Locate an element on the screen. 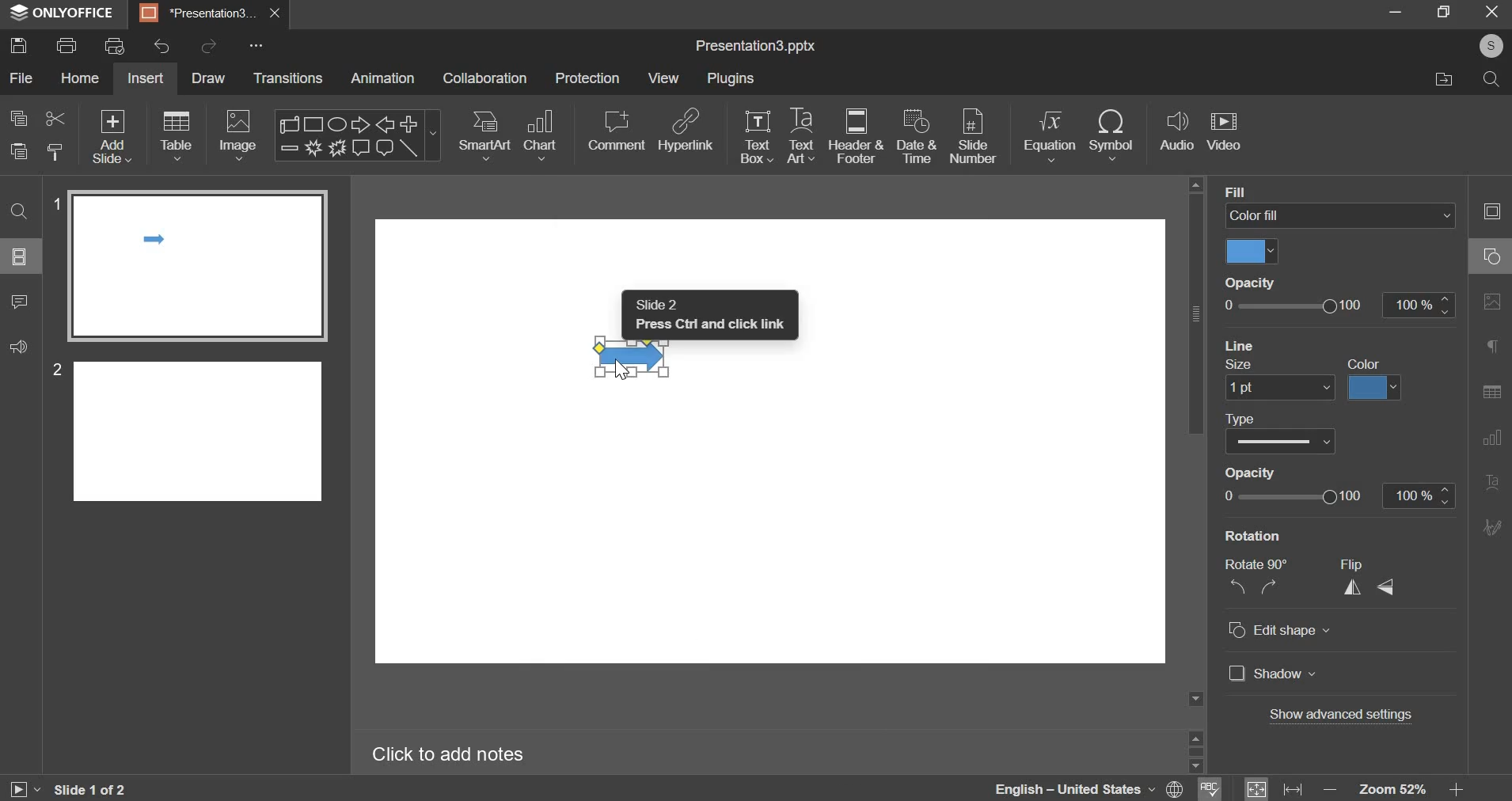 This screenshot has width=1512, height=801. slider from 0 to 100 is located at coordinates (1295, 306).